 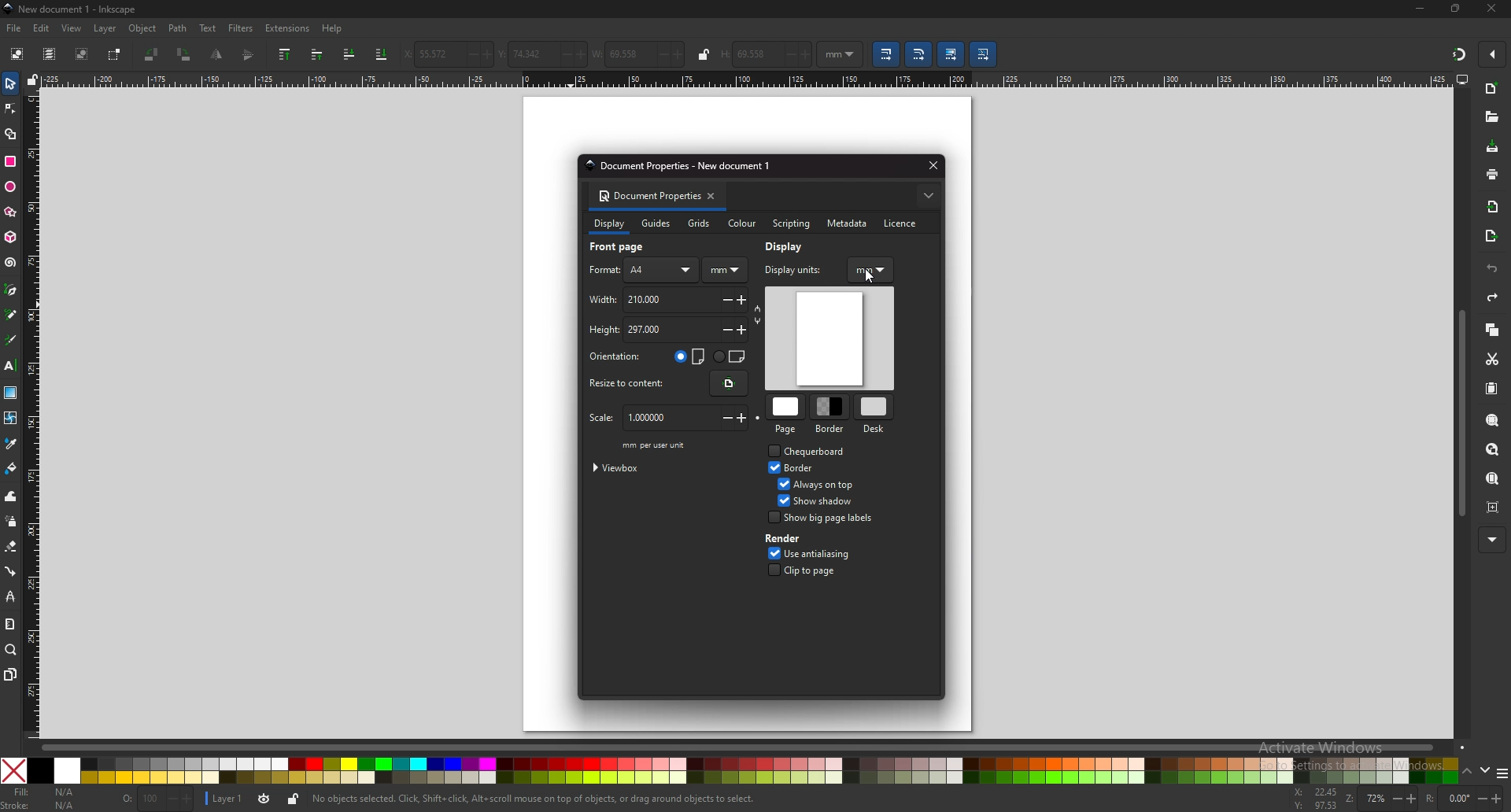 What do you see at coordinates (10, 650) in the screenshot?
I see `zoom` at bounding box center [10, 650].